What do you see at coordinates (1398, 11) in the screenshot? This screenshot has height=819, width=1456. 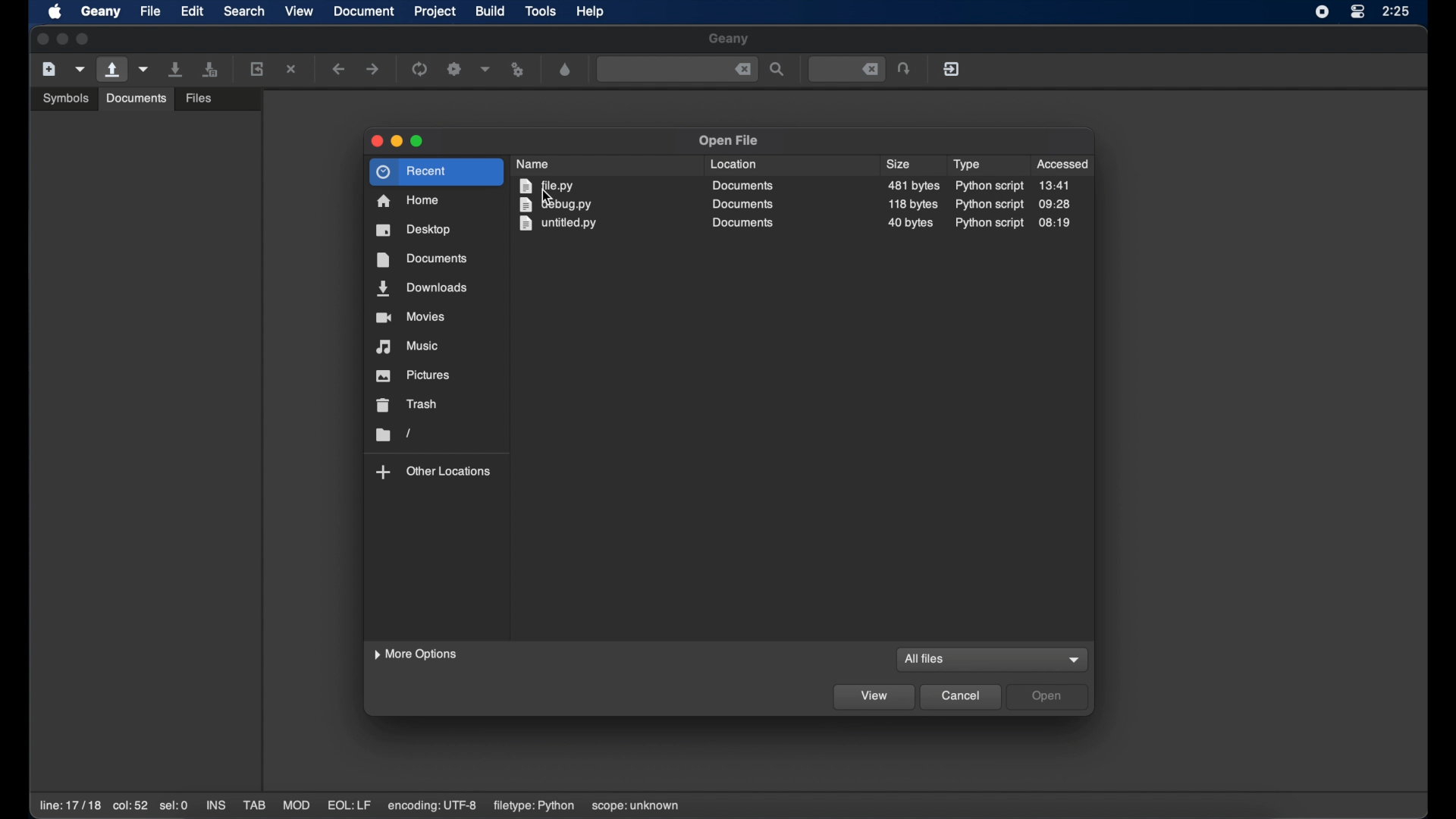 I see `time` at bounding box center [1398, 11].